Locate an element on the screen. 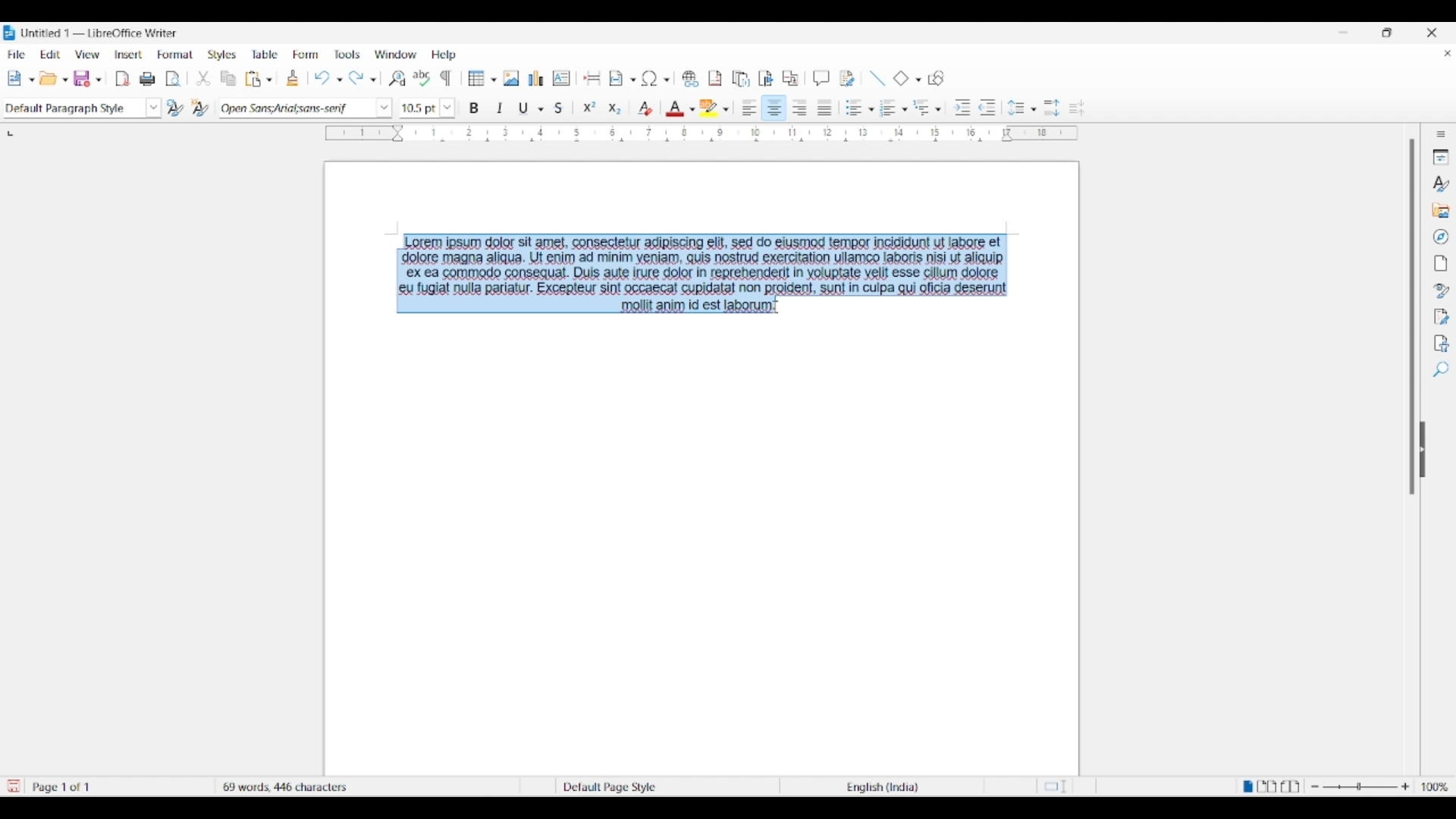  Single page view is located at coordinates (1246, 786).